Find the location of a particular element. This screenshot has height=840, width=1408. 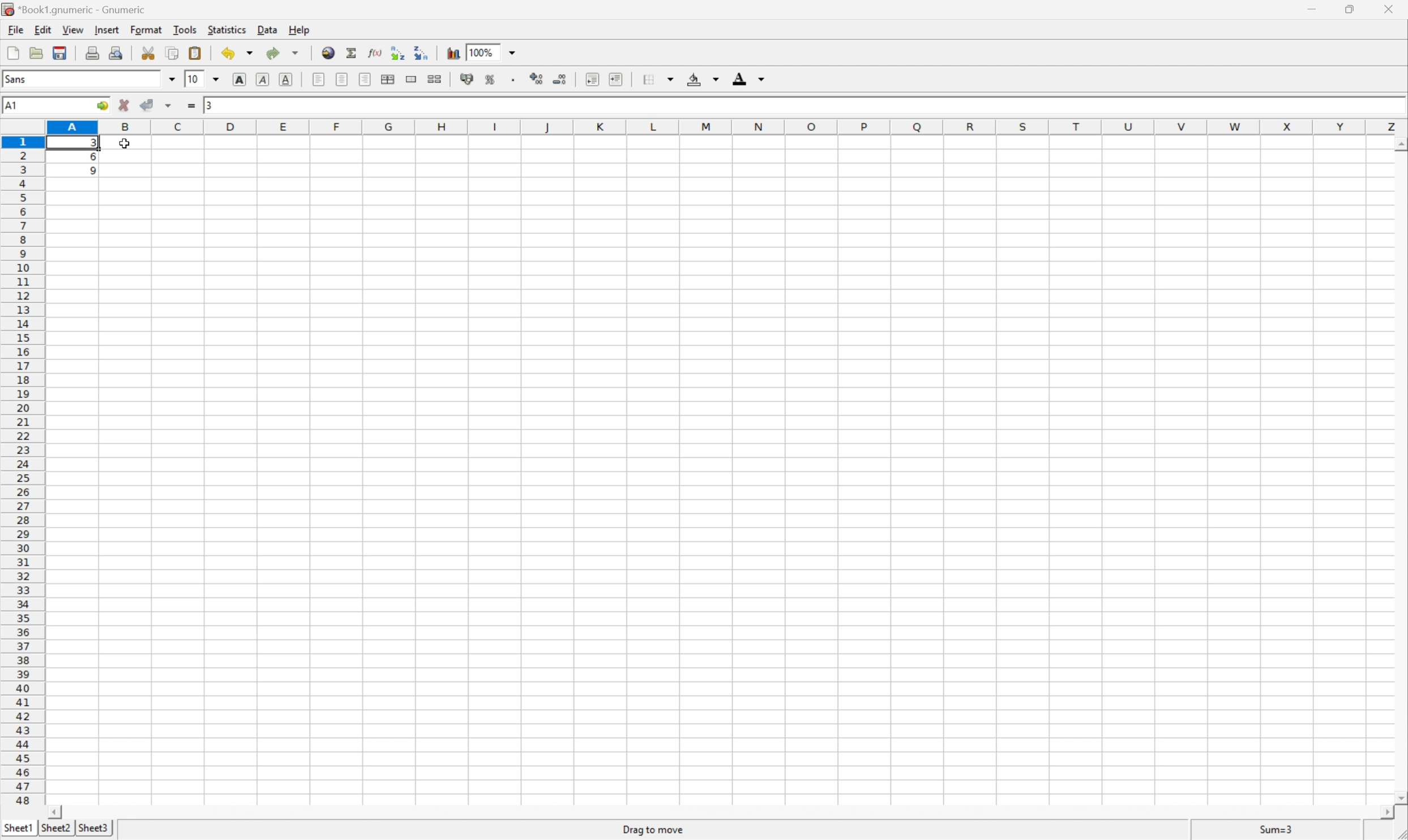

Redo is located at coordinates (281, 53).